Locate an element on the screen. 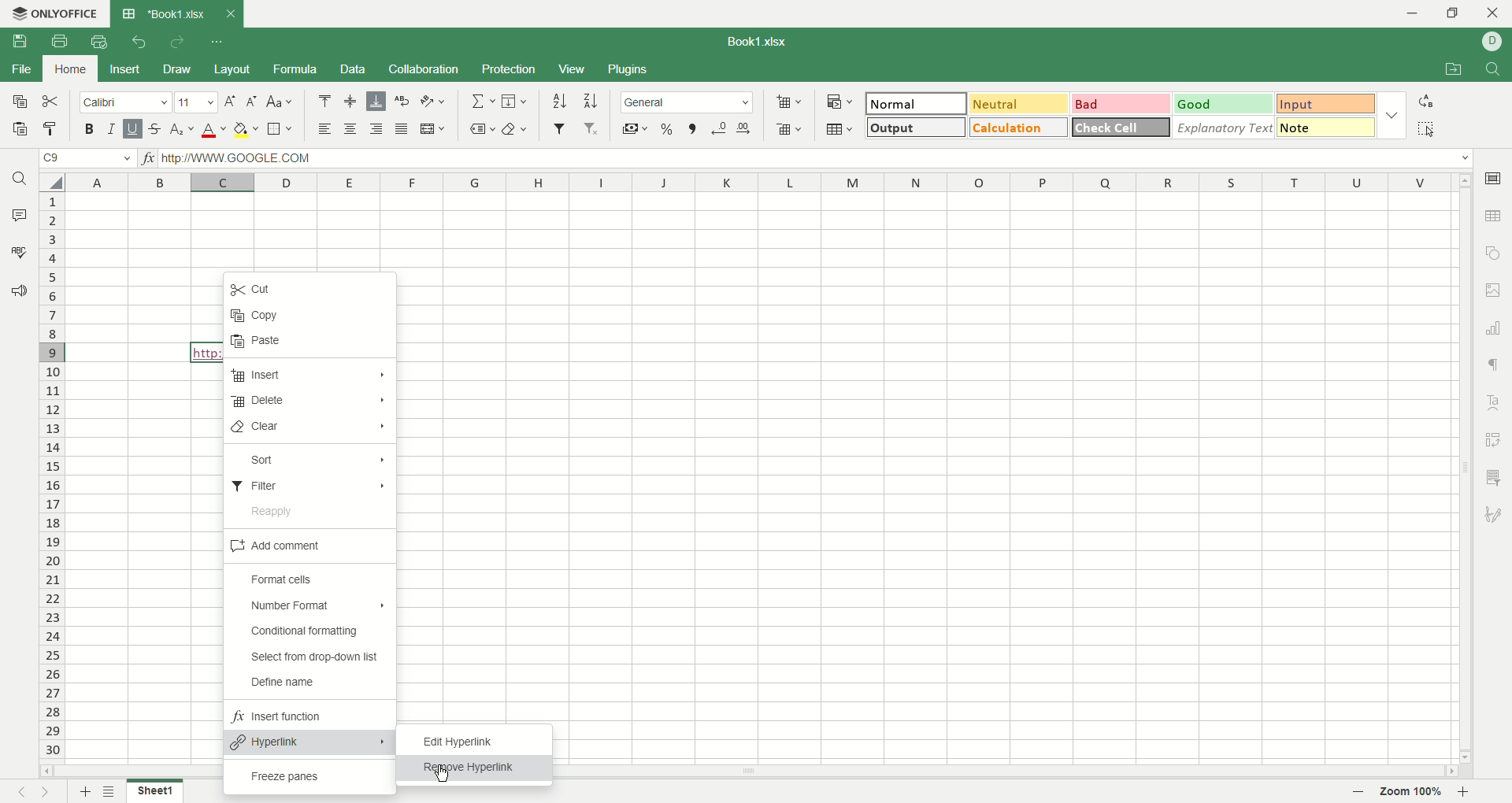  view is located at coordinates (570, 70).